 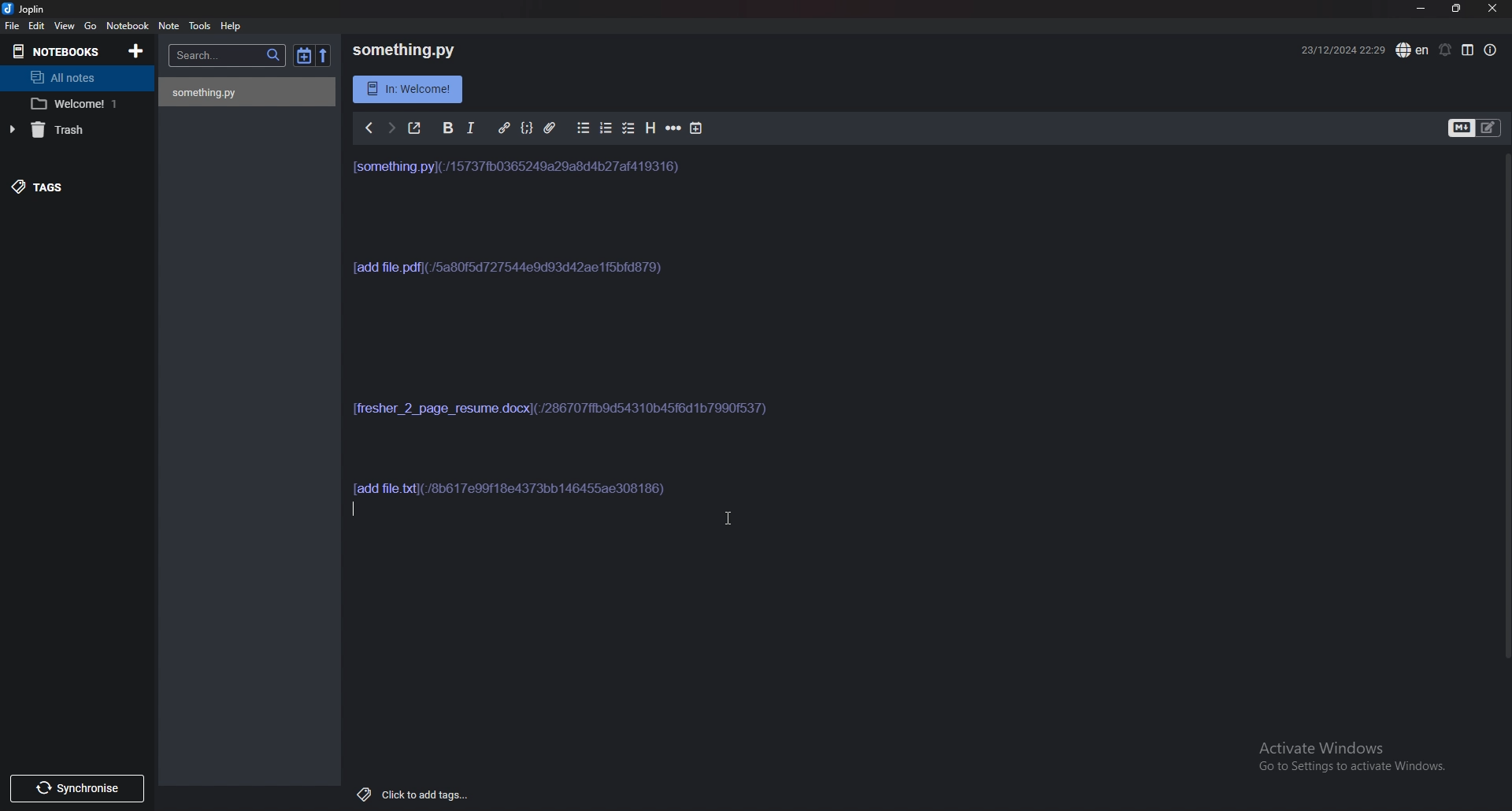 What do you see at coordinates (509, 277) in the screenshot?
I see `[add file.pdf](:/5a80f5d727544e9d93d42ae15bfd879)` at bounding box center [509, 277].